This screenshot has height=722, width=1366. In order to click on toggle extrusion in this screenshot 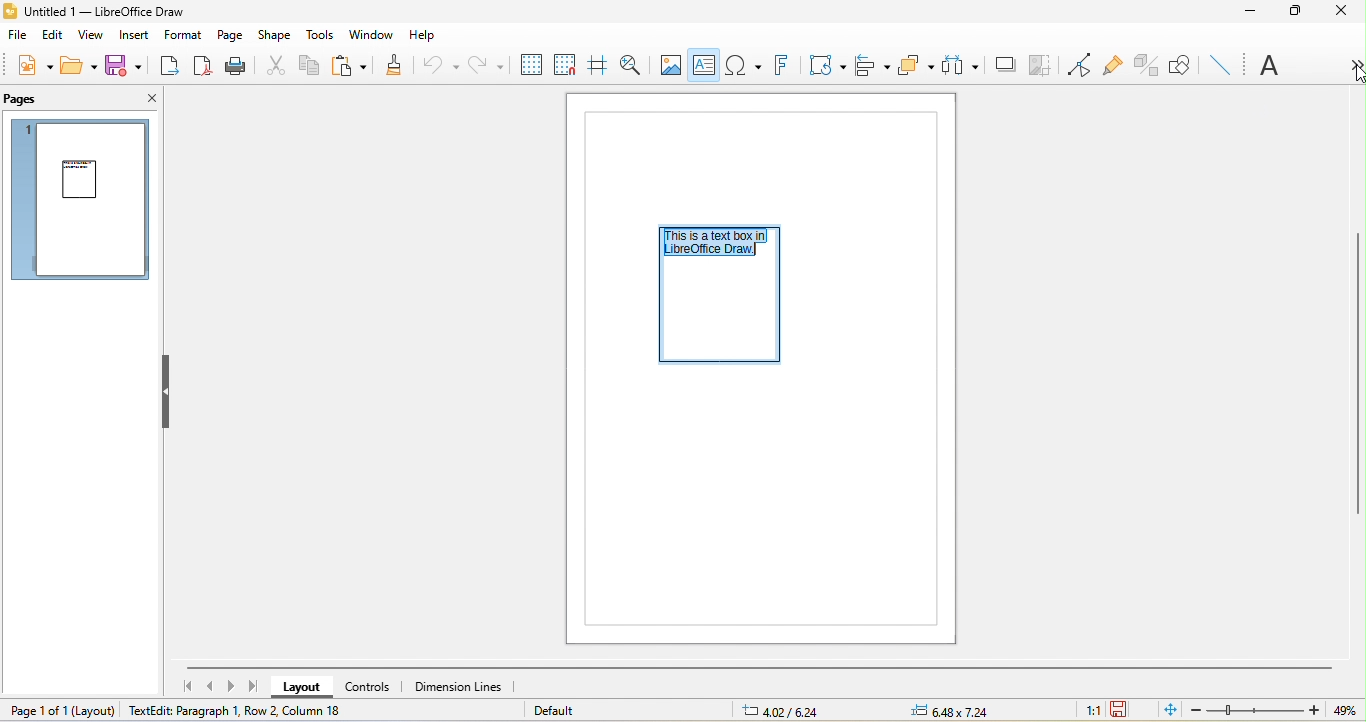, I will do `click(1149, 63)`.